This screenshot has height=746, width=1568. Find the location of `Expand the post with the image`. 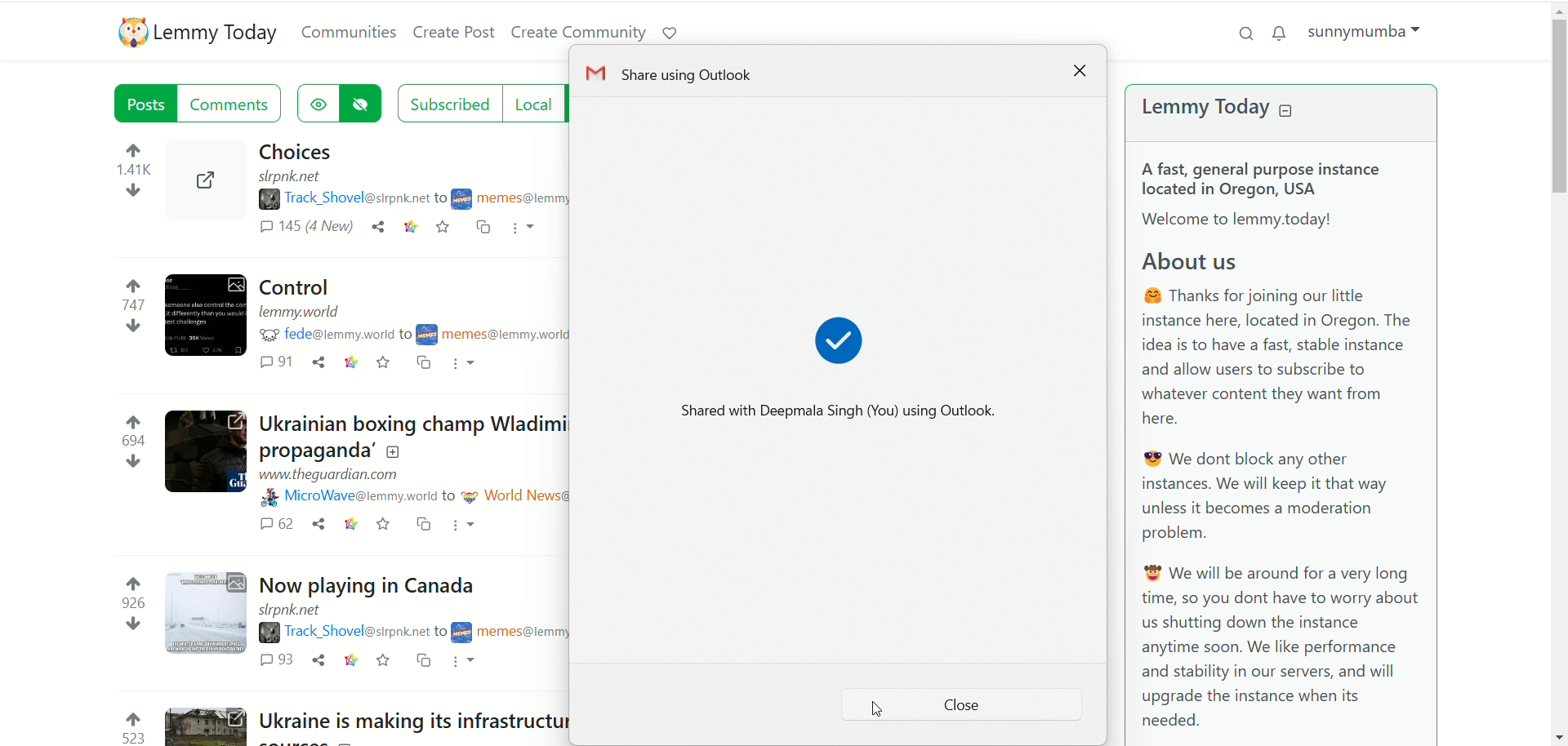

Expand the post with the image is located at coordinates (203, 452).